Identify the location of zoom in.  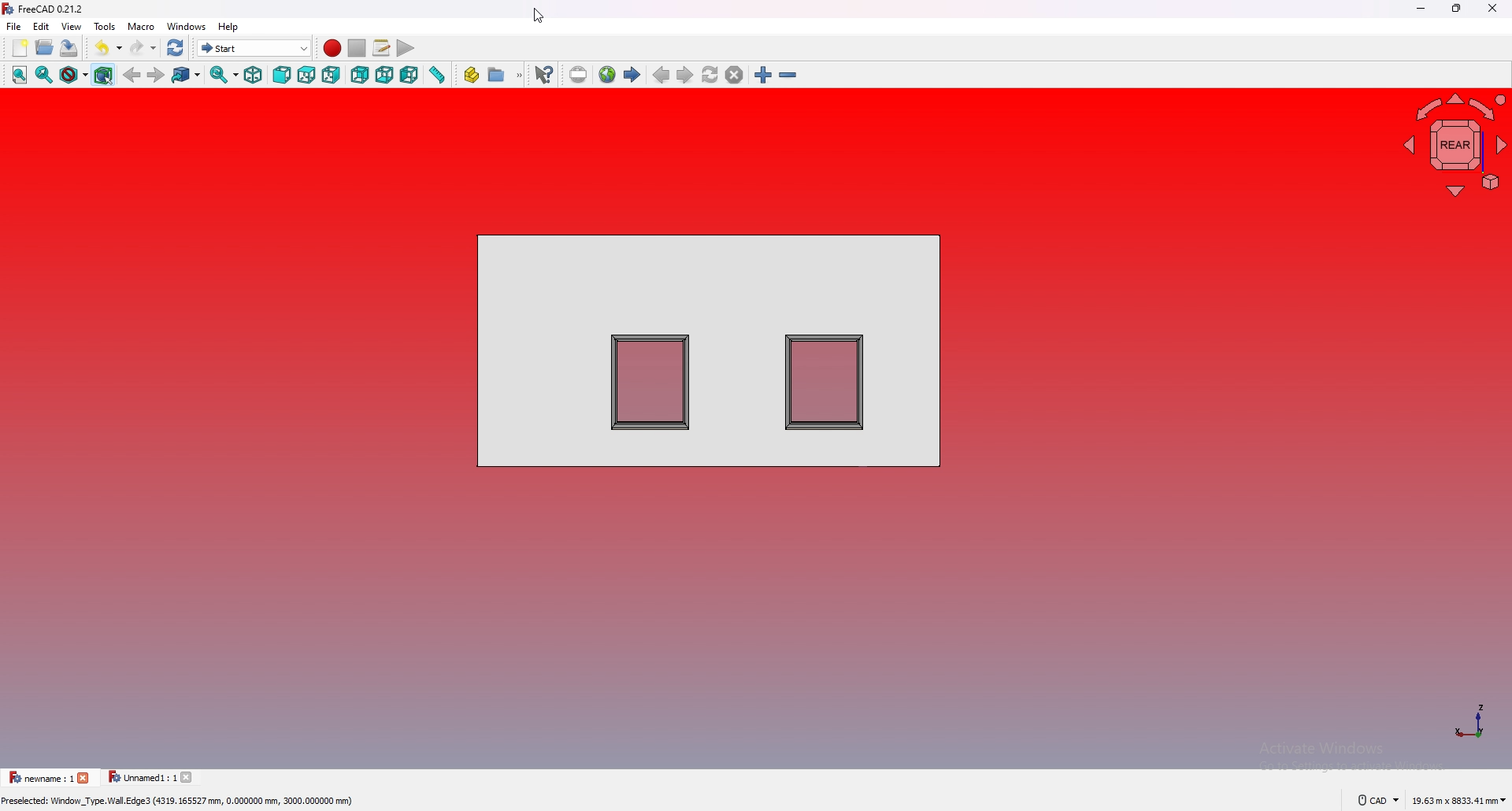
(762, 75).